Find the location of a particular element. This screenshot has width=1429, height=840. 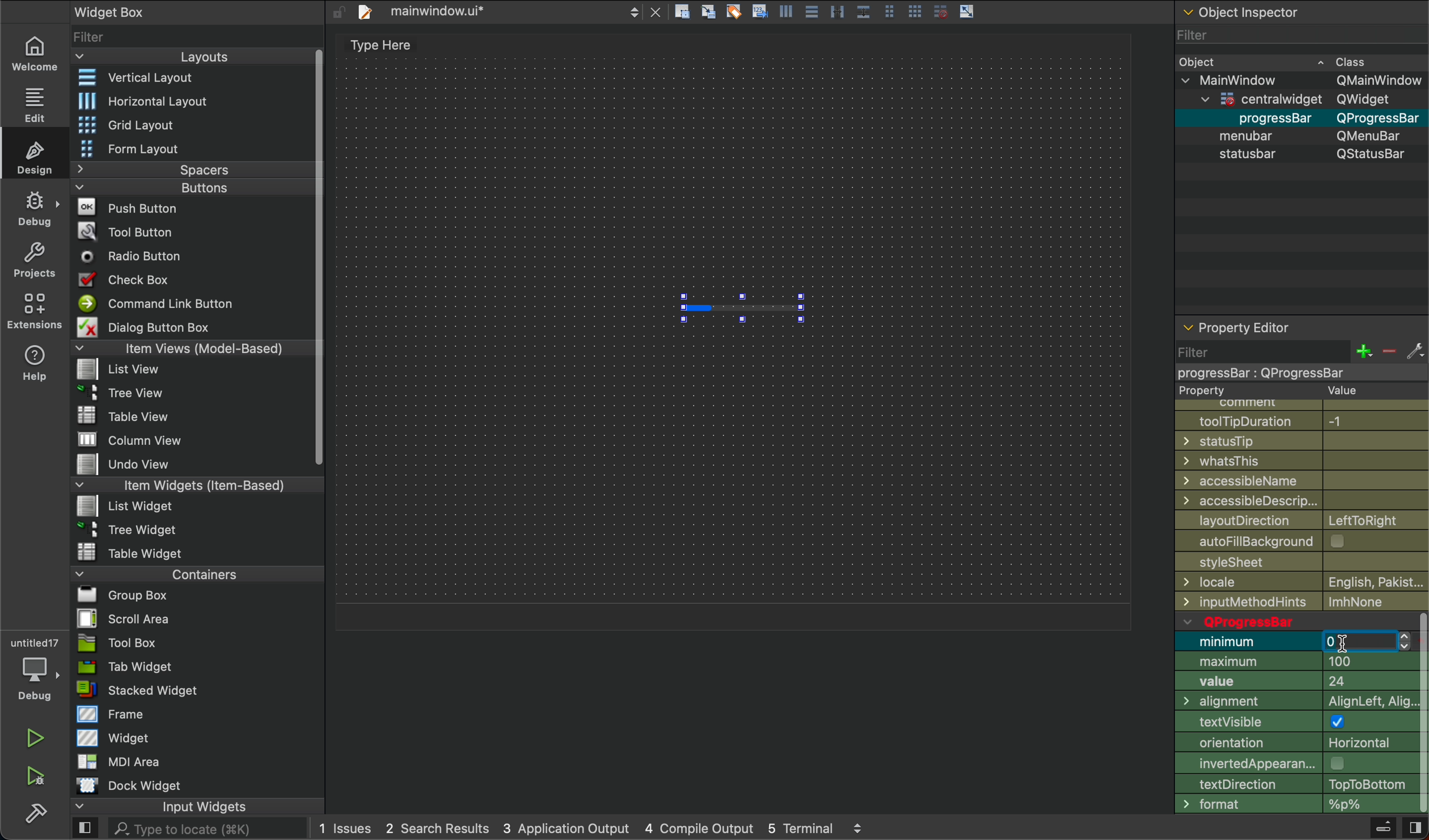

File is located at coordinates (121, 391).